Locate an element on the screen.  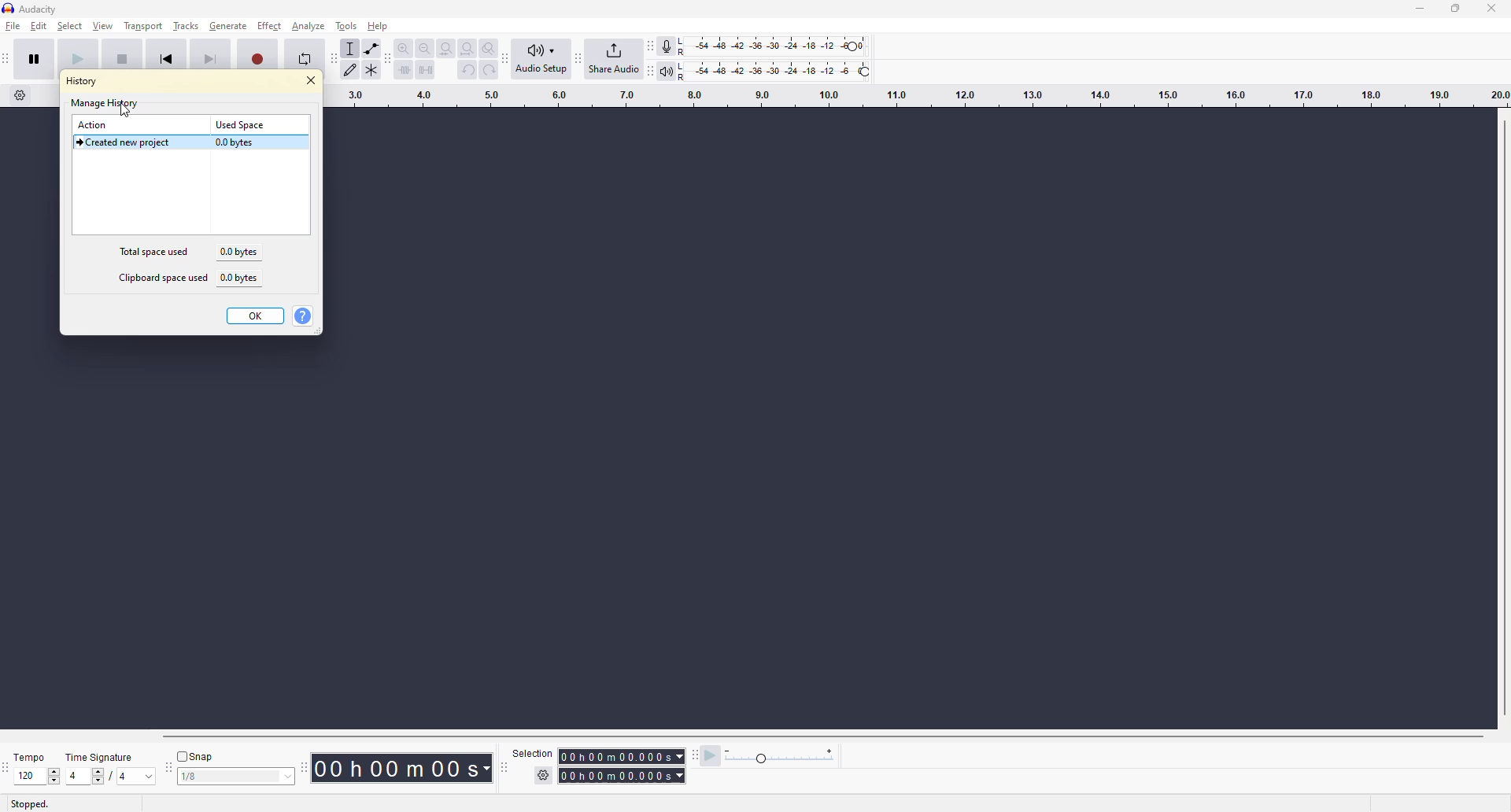
fit project to width is located at coordinates (469, 47).